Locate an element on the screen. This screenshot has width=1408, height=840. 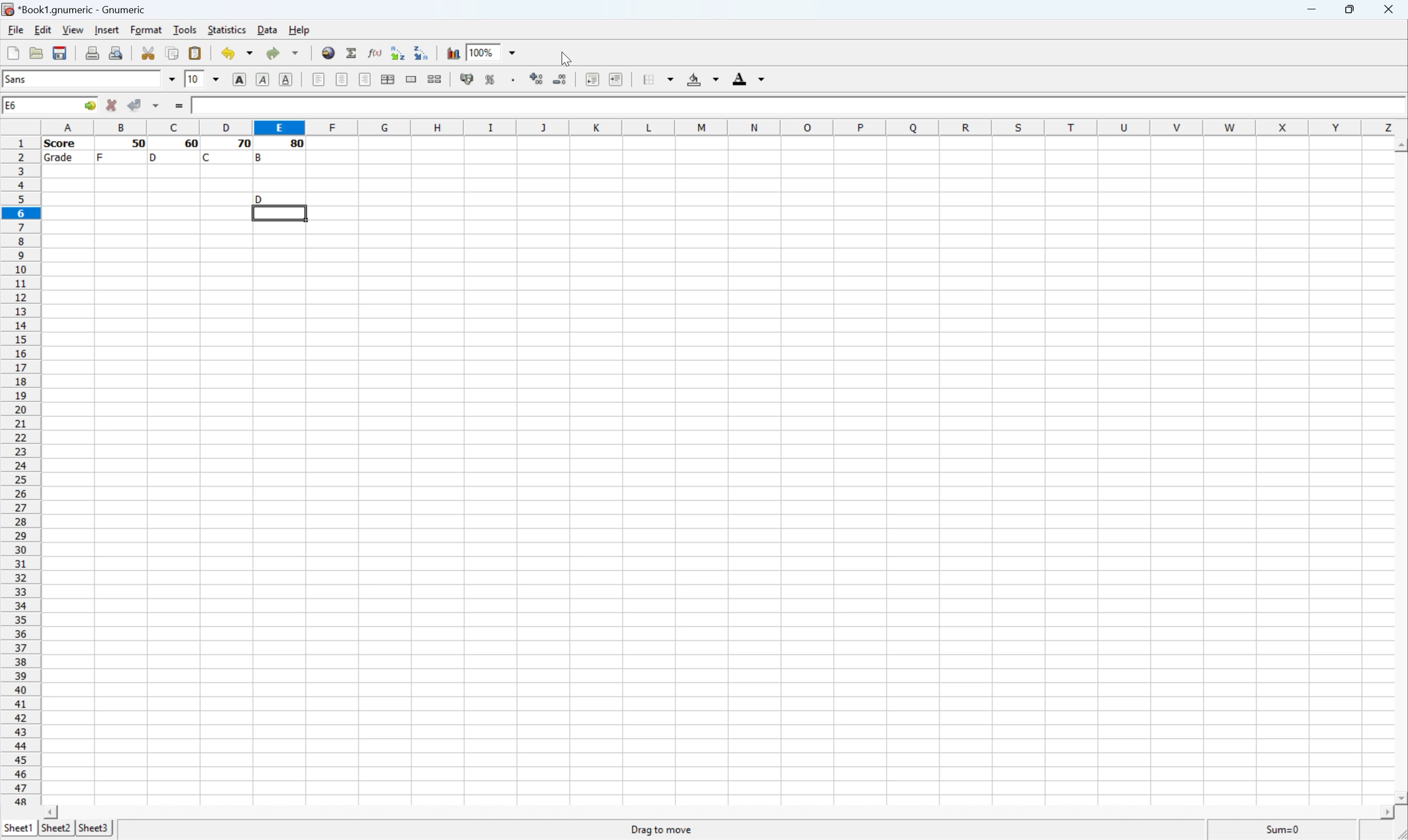
Help is located at coordinates (298, 31).